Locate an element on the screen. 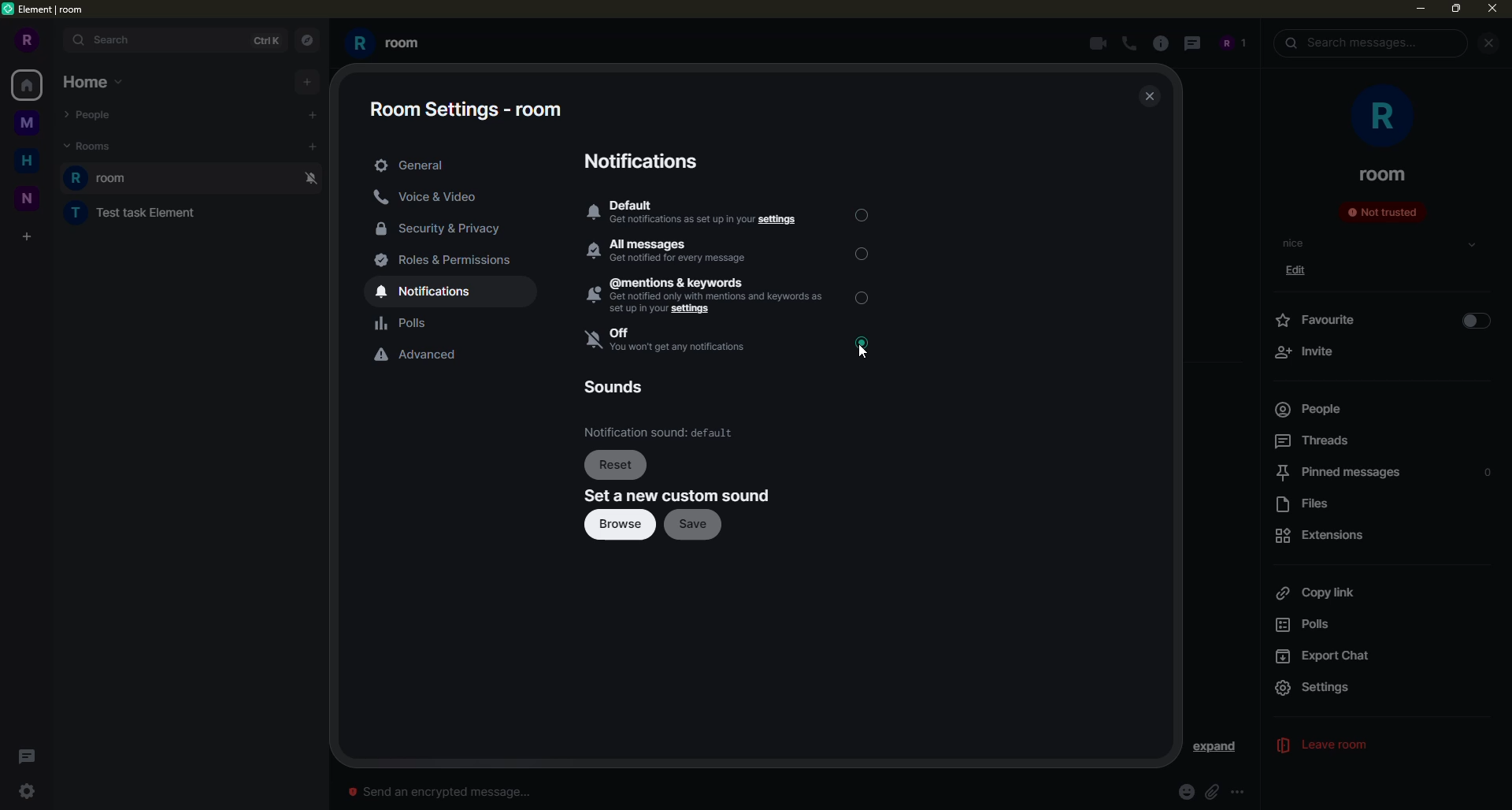 The image size is (1512, 810). expand is located at coordinates (1215, 748).